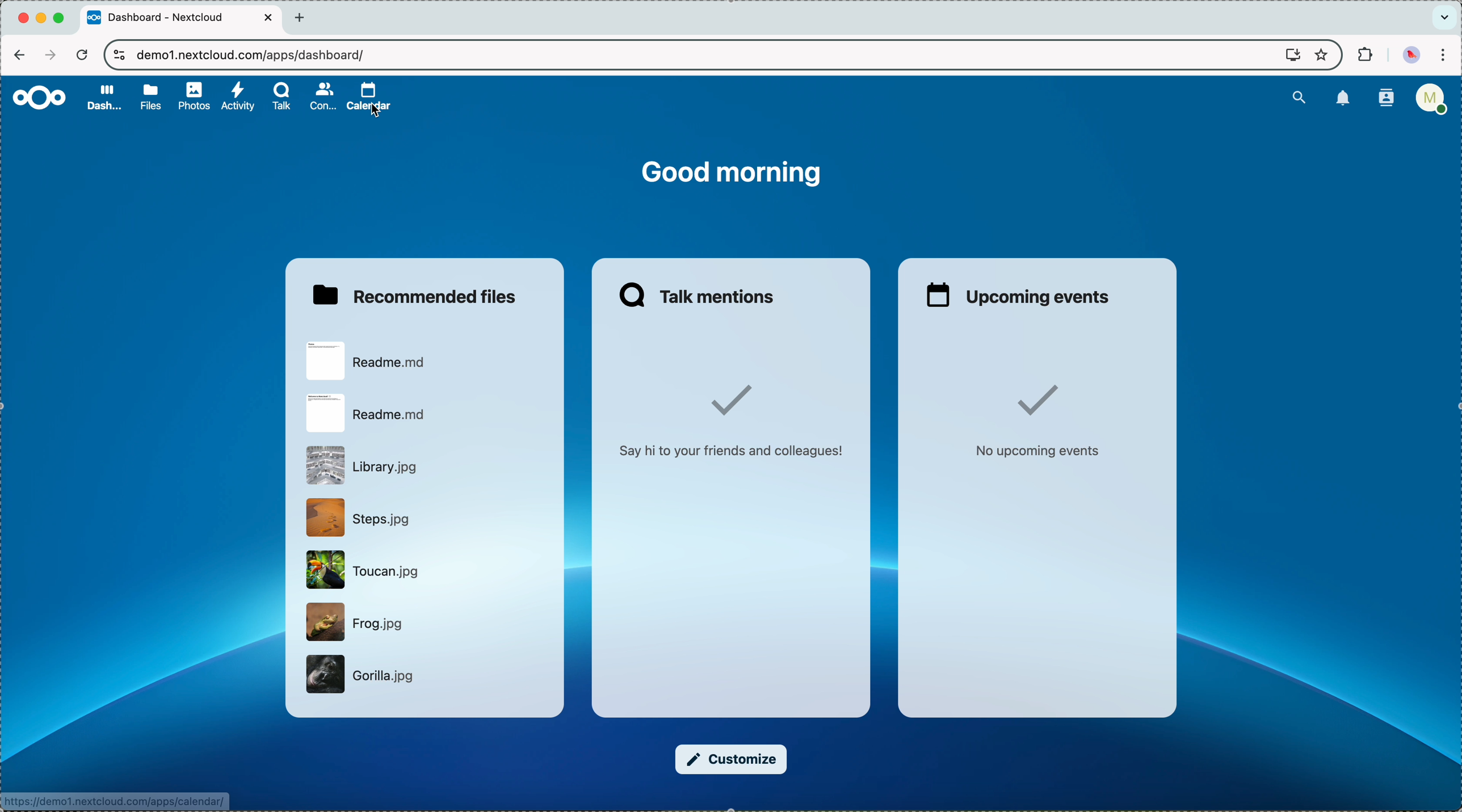  I want to click on file, so click(363, 569).